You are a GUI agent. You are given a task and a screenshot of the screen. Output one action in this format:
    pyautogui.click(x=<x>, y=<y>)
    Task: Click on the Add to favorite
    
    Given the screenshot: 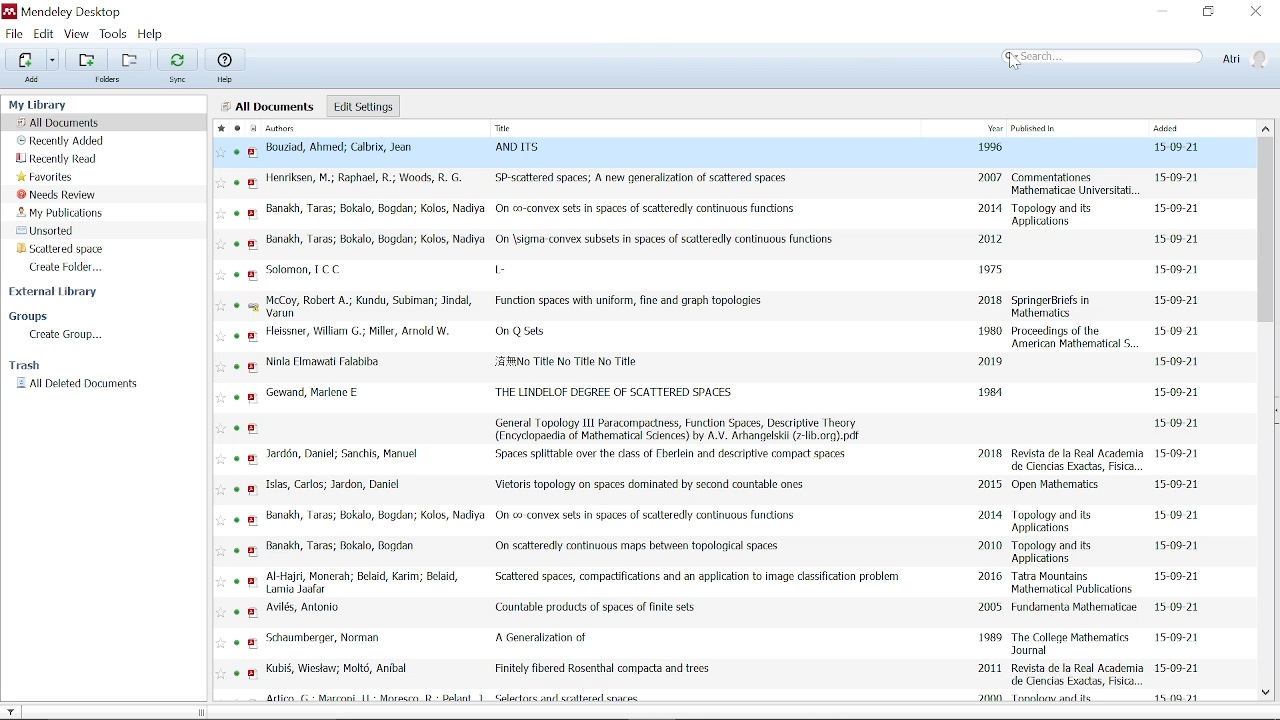 What is the action you would take?
    pyautogui.click(x=221, y=275)
    